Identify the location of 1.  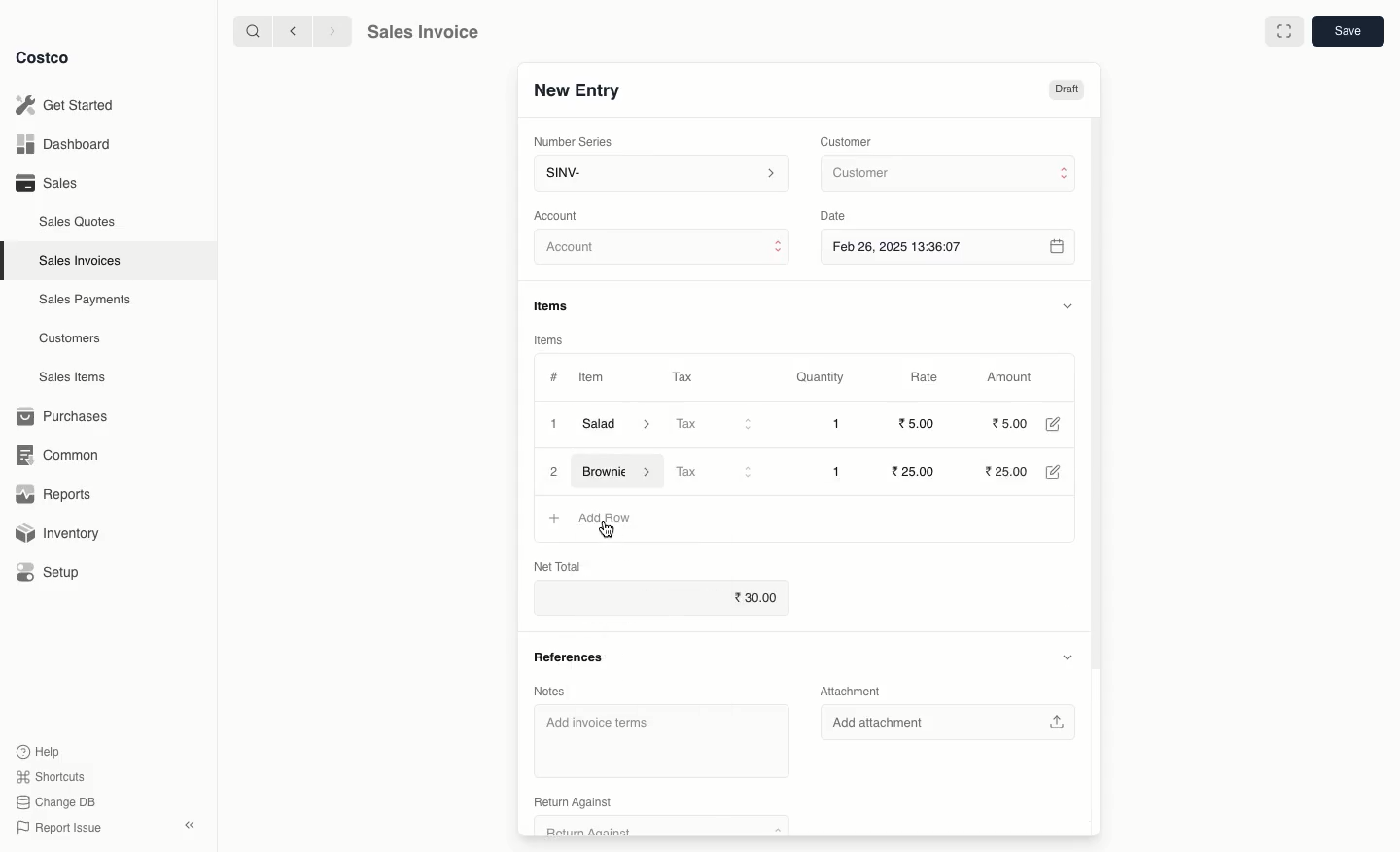
(836, 471).